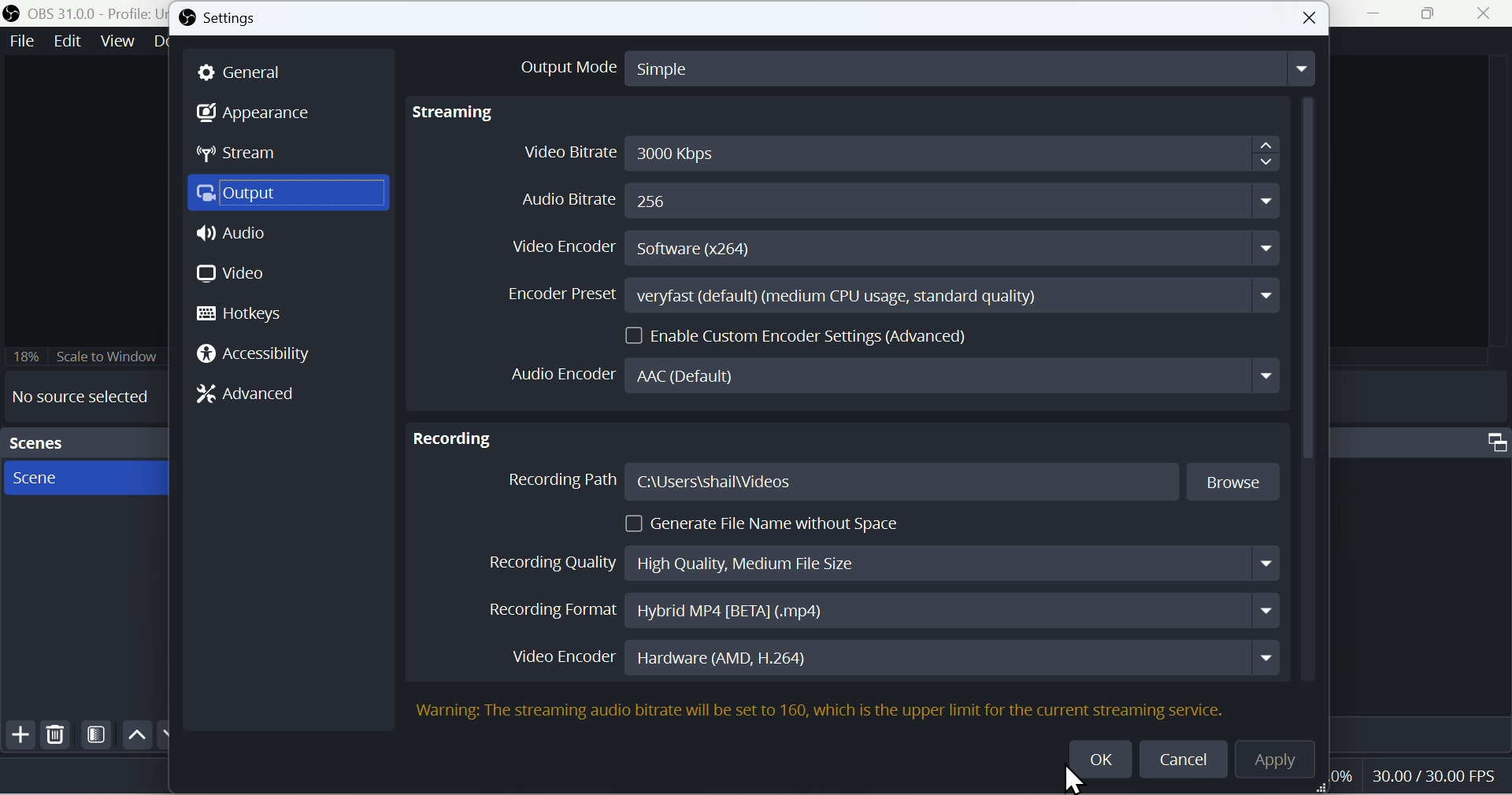 The height and width of the screenshot is (795, 1512). What do you see at coordinates (1436, 14) in the screenshot?
I see `Maximise` at bounding box center [1436, 14].